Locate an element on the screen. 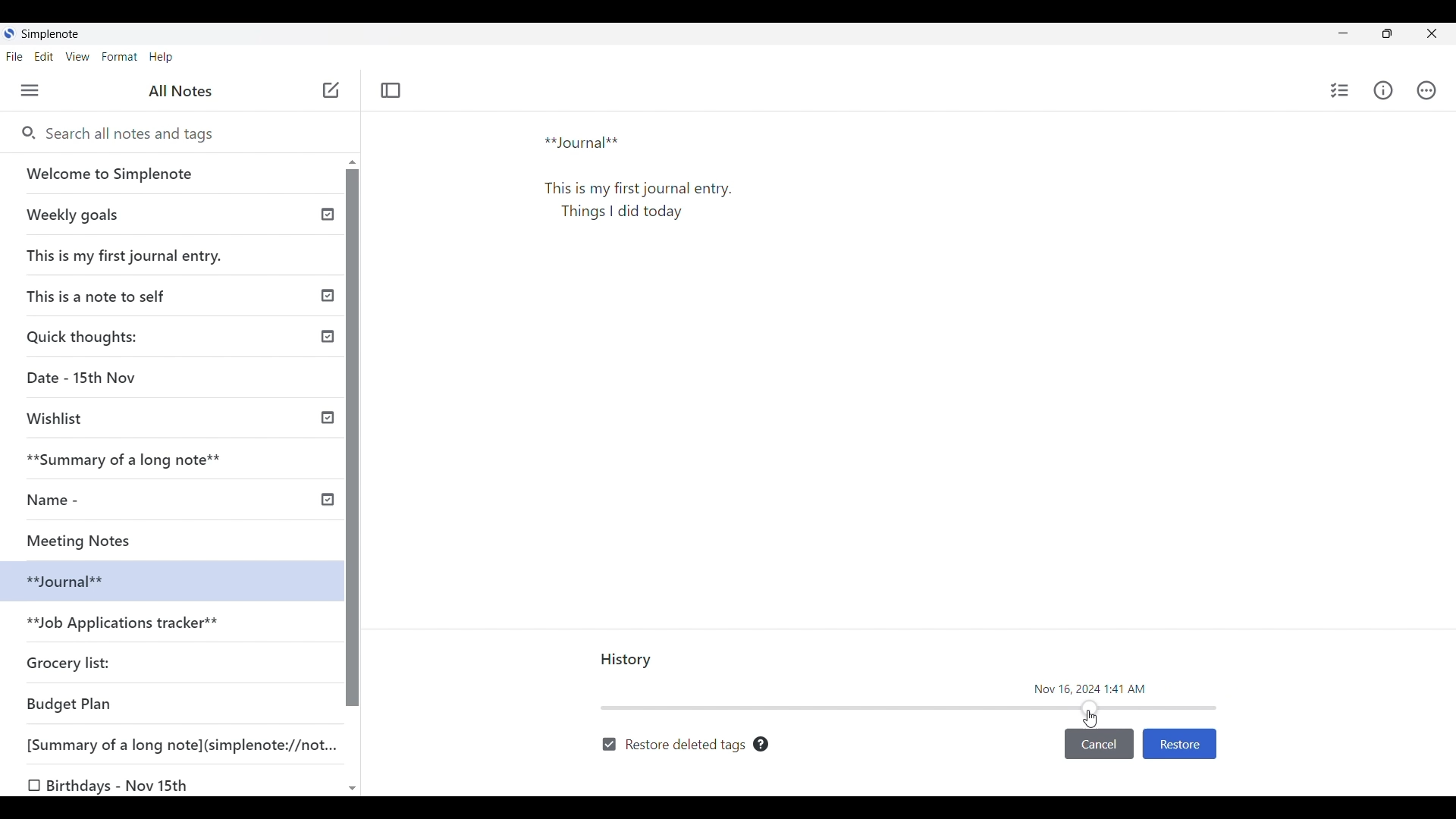 The height and width of the screenshot is (819, 1456). Budget Plan is located at coordinates (70, 704).